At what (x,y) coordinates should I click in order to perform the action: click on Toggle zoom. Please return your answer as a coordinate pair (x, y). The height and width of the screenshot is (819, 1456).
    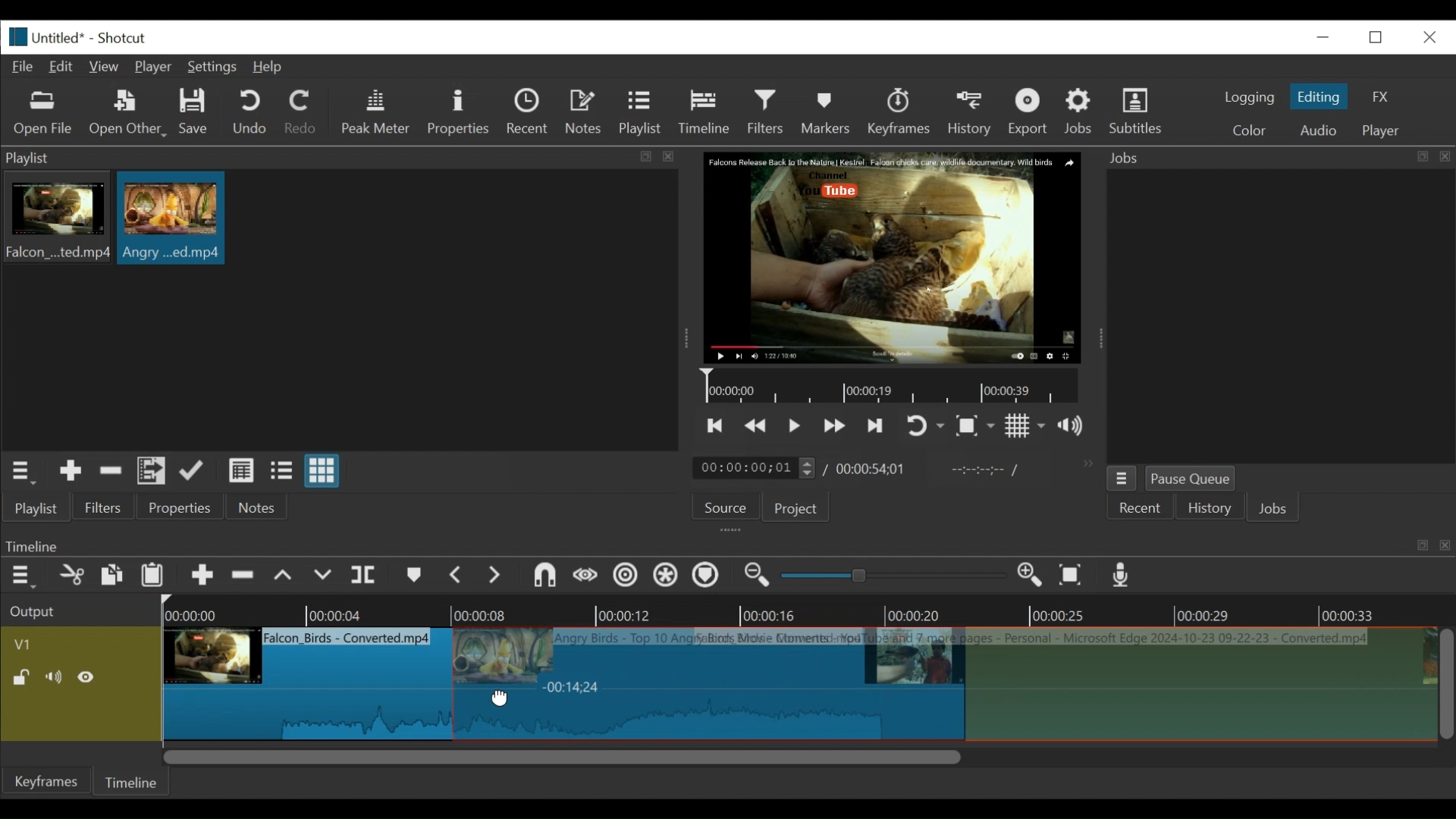
    Looking at the image, I should click on (974, 427).